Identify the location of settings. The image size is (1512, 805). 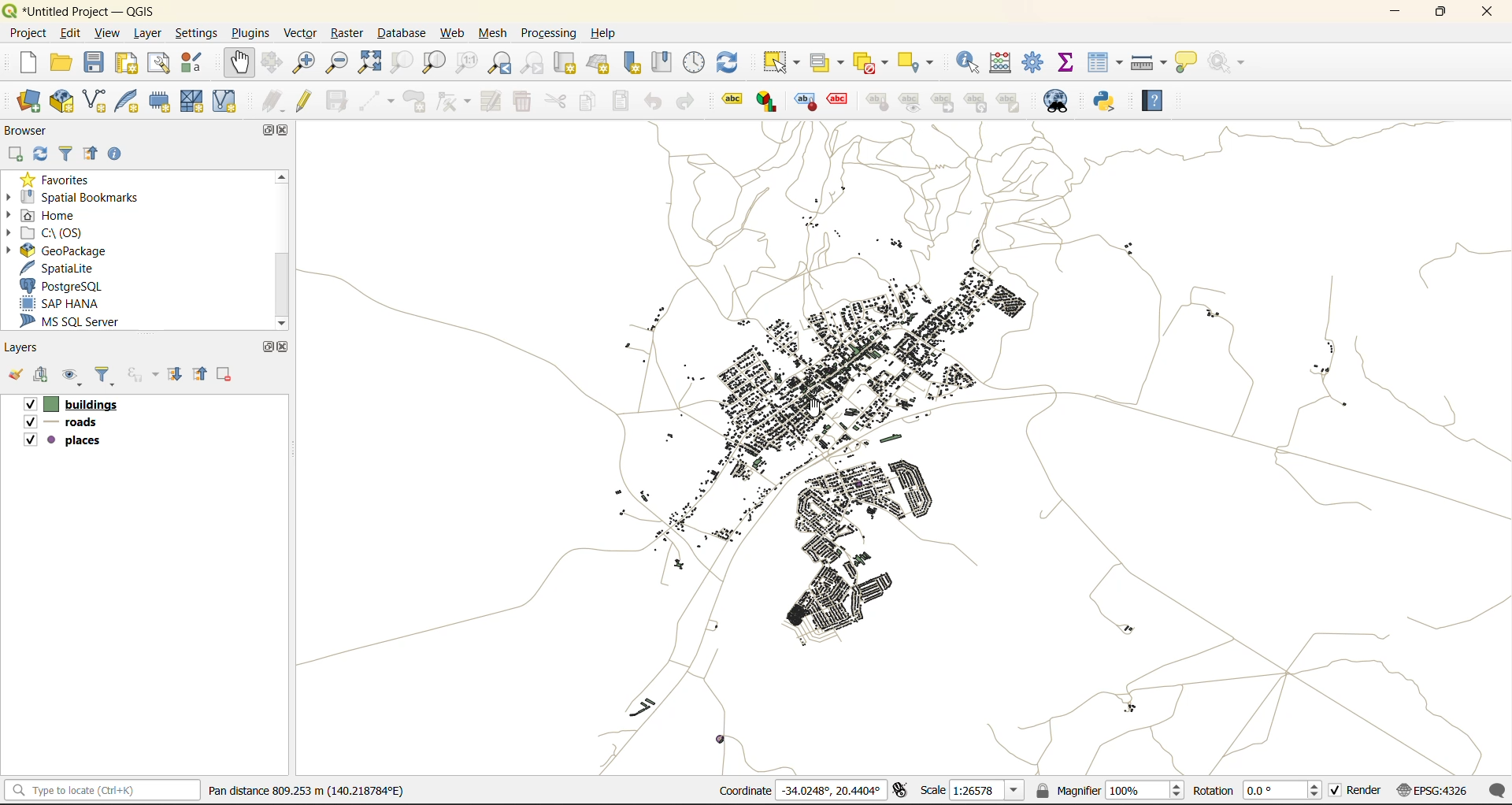
(196, 31).